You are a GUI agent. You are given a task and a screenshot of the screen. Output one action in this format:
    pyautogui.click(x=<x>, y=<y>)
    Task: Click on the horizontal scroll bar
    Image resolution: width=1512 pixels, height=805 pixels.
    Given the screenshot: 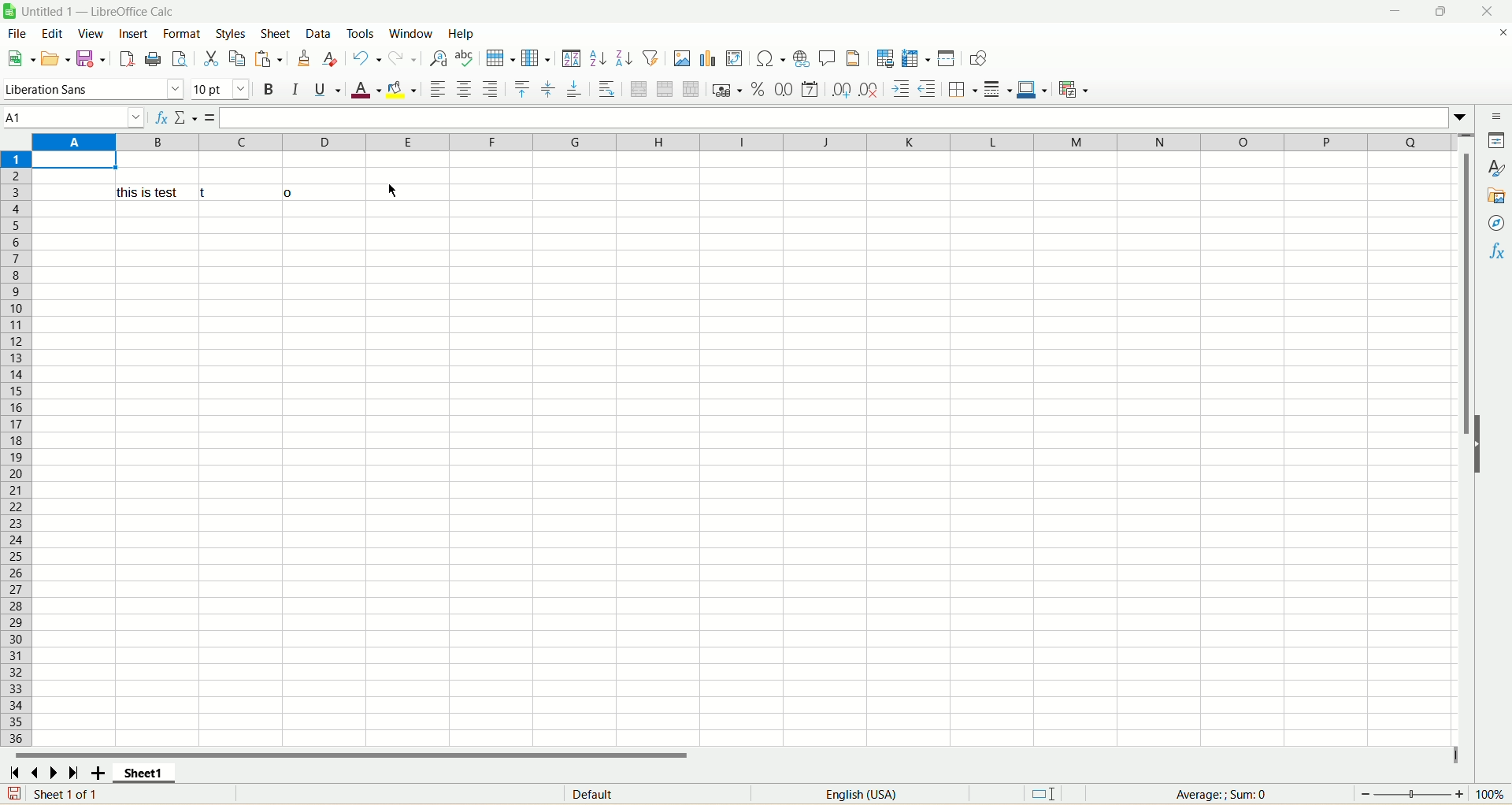 What is the action you would take?
    pyautogui.click(x=734, y=751)
    